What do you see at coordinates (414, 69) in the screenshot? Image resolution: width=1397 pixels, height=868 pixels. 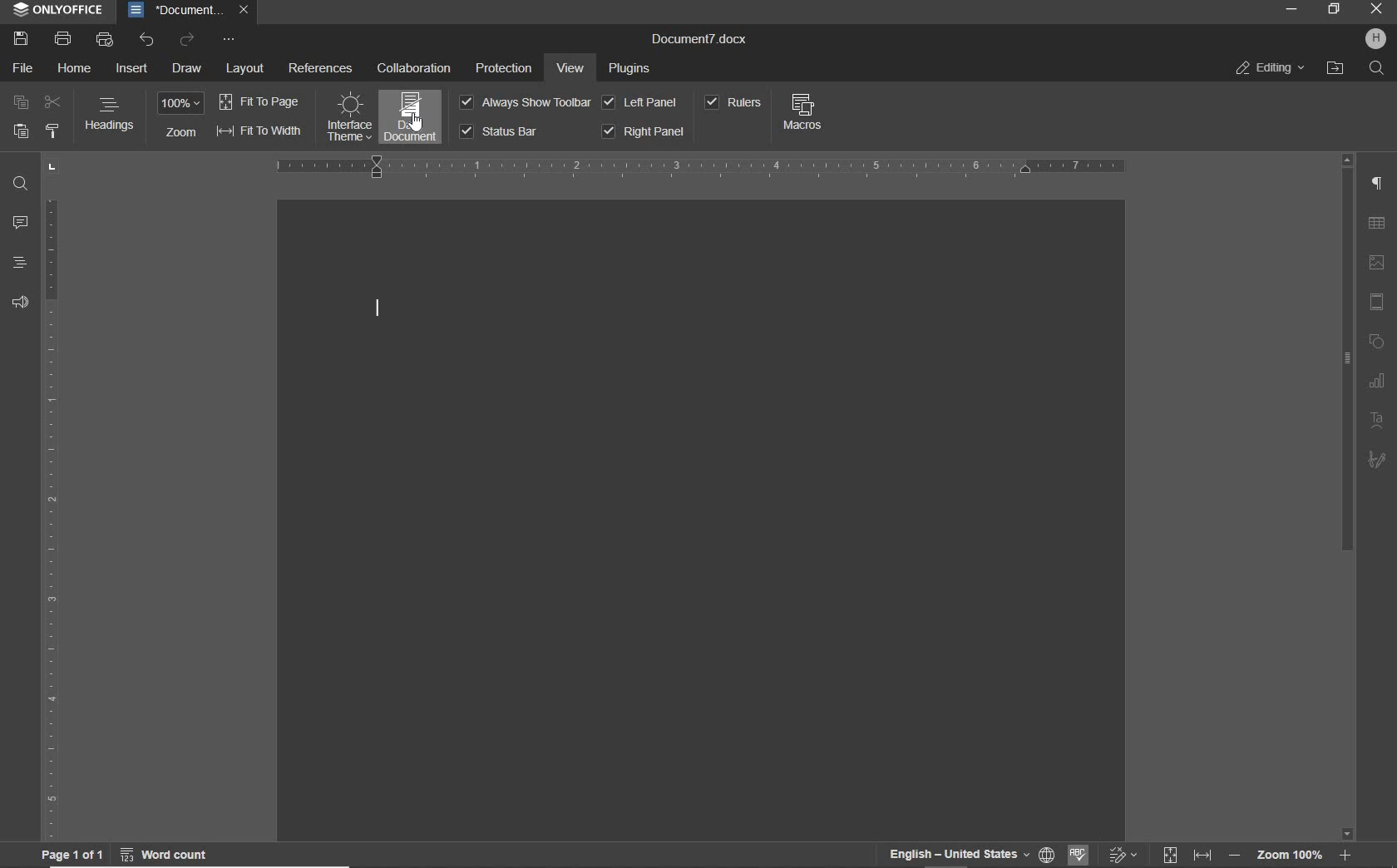 I see `COLLABORATION` at bounding box center [414, 69].